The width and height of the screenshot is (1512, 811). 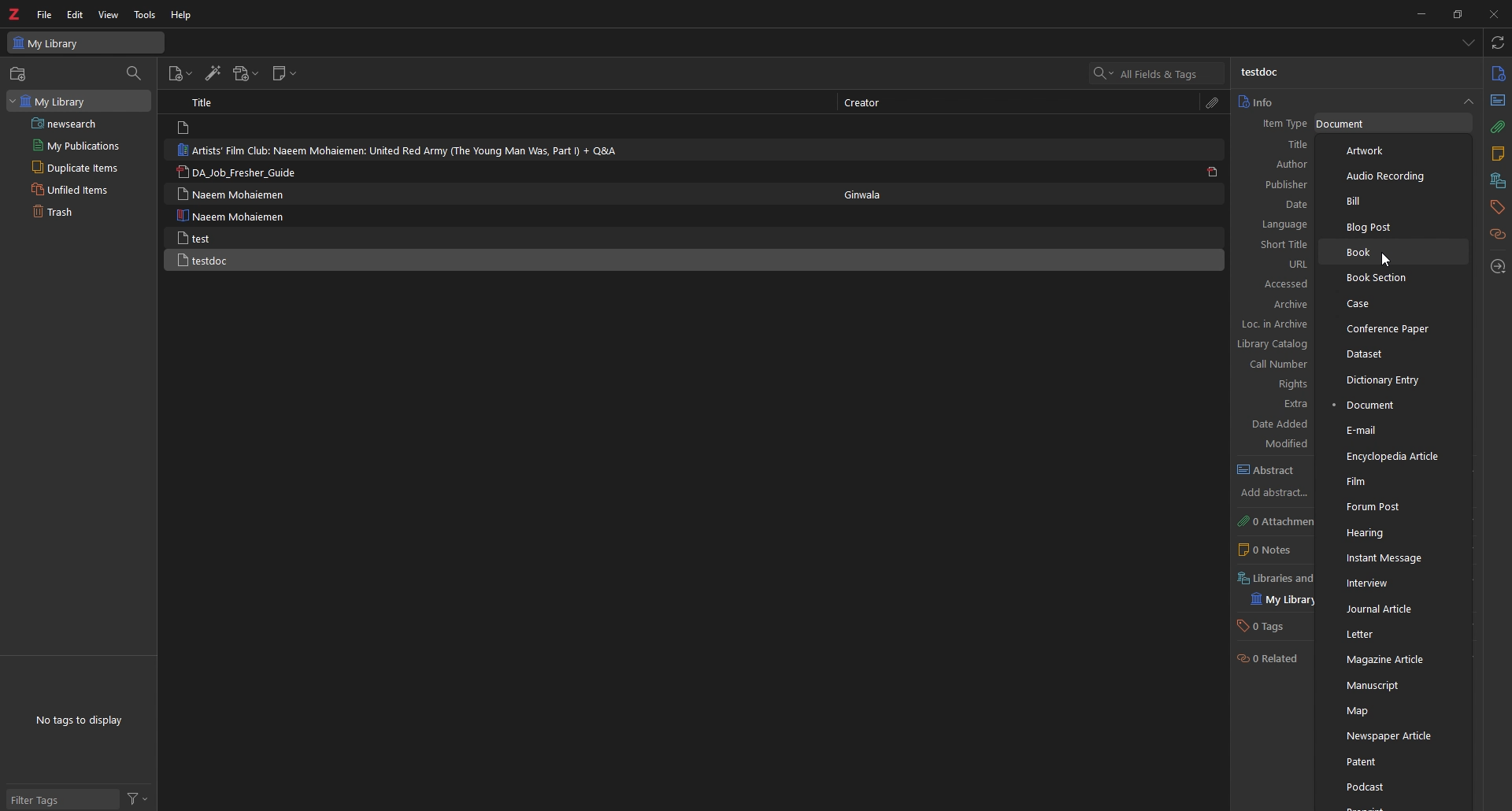 I want to click on testdoc, so click(x=1259, y=73).